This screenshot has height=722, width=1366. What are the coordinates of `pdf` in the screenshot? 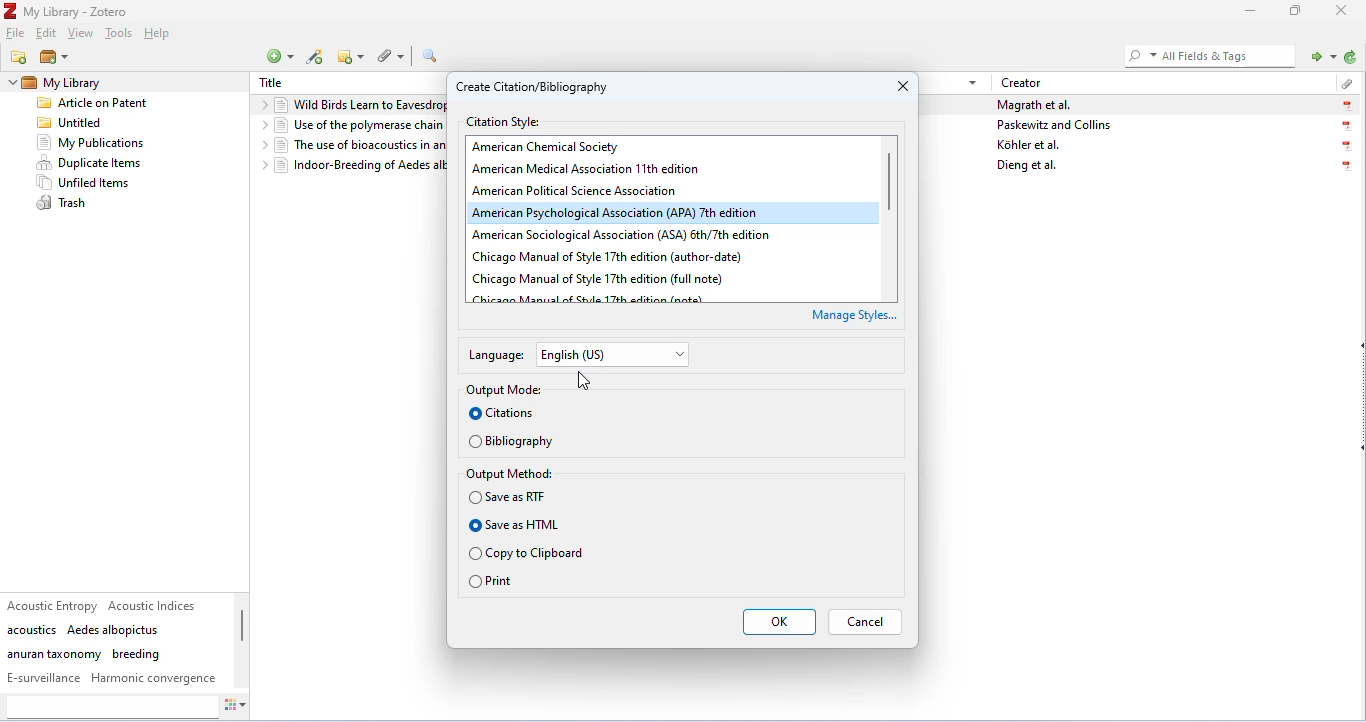 It's located at (1348, 147).